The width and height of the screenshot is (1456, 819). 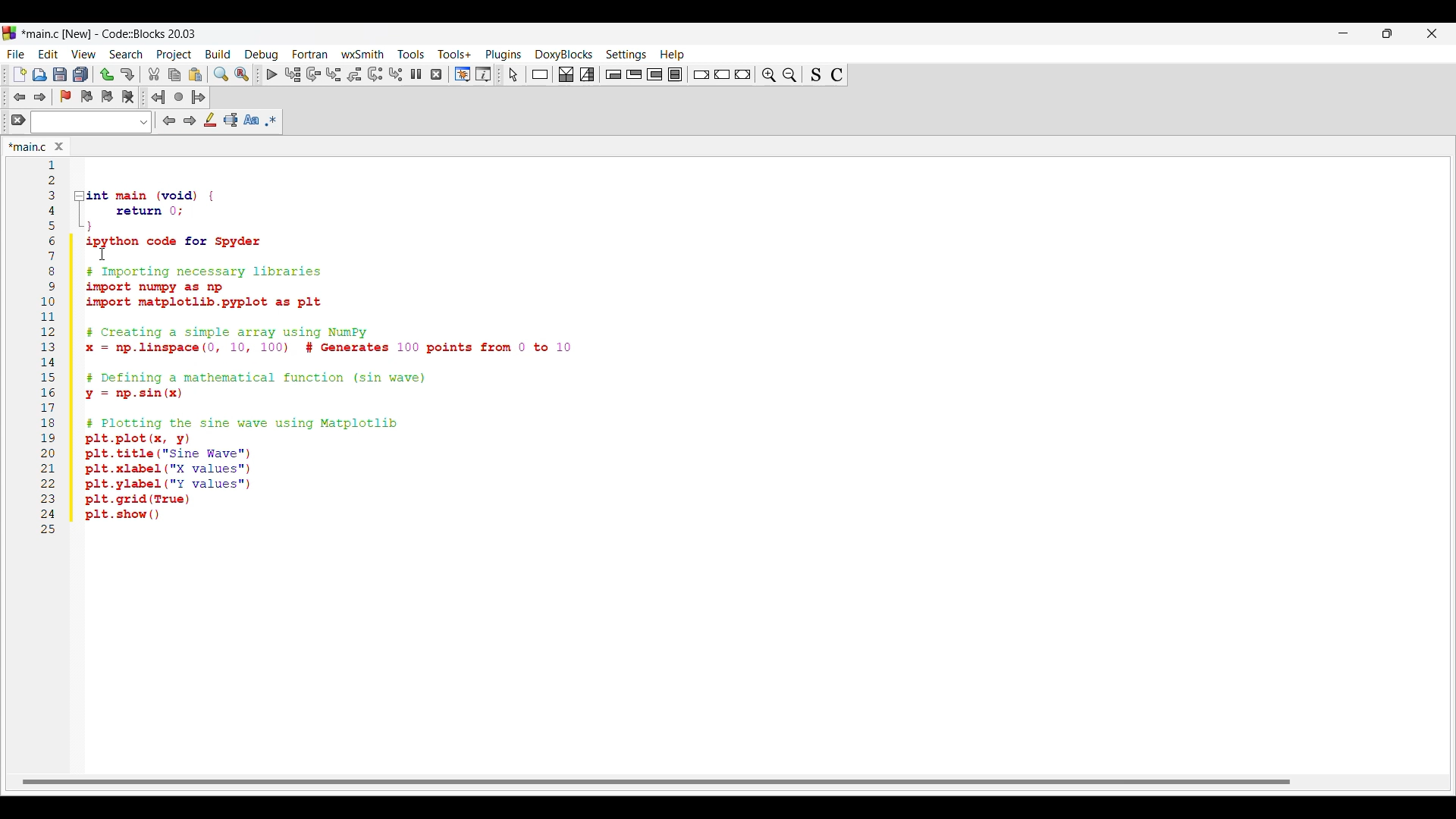 What do you see at coordinates (20, 74) in the screenshot?
I see `New file` at bounding box center [20, 74].